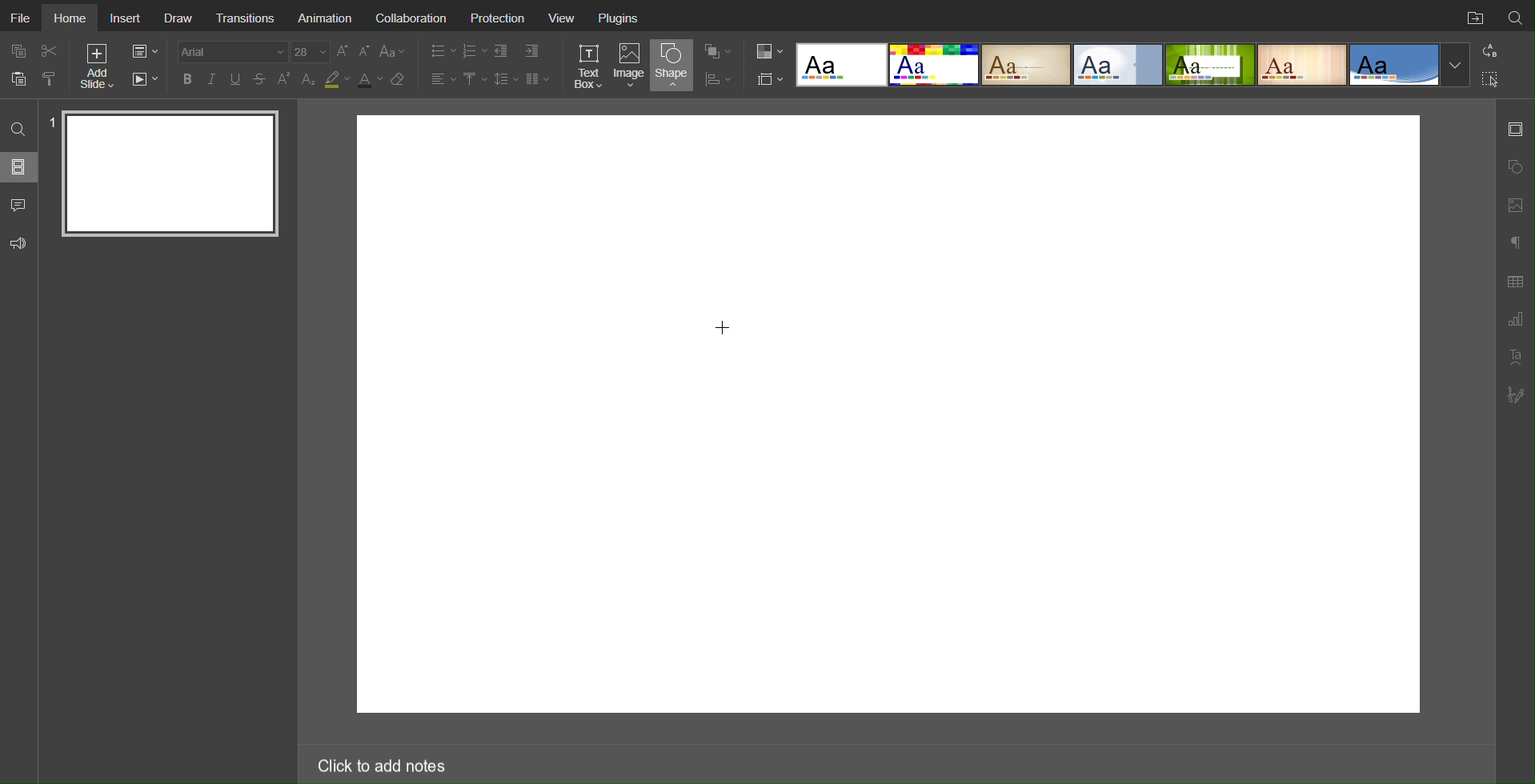 The width and height of the screenshot is (1535, 784). I want to click on Add Slide, so click(96, 69).